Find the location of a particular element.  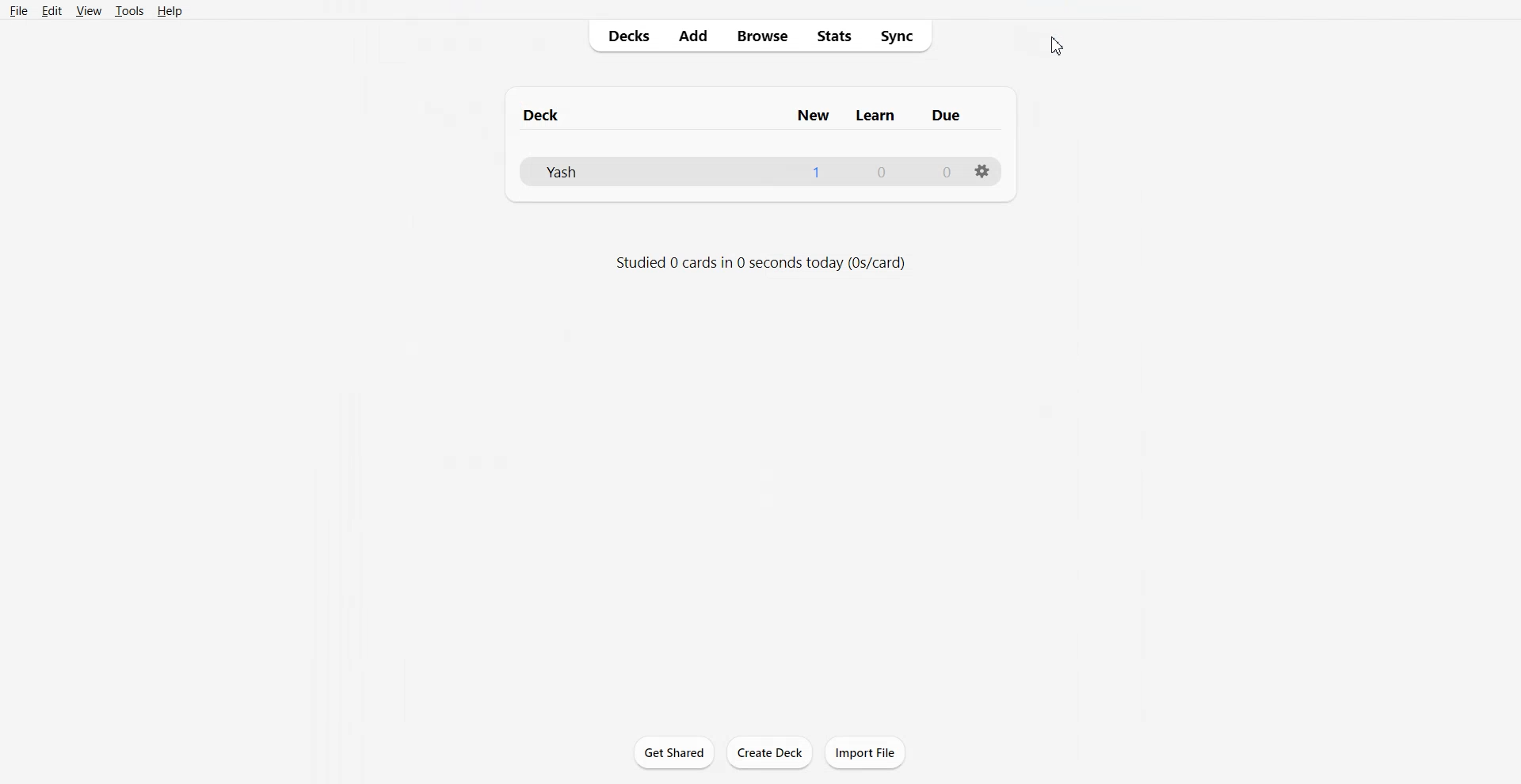

View is located at coordinates (88, 11).